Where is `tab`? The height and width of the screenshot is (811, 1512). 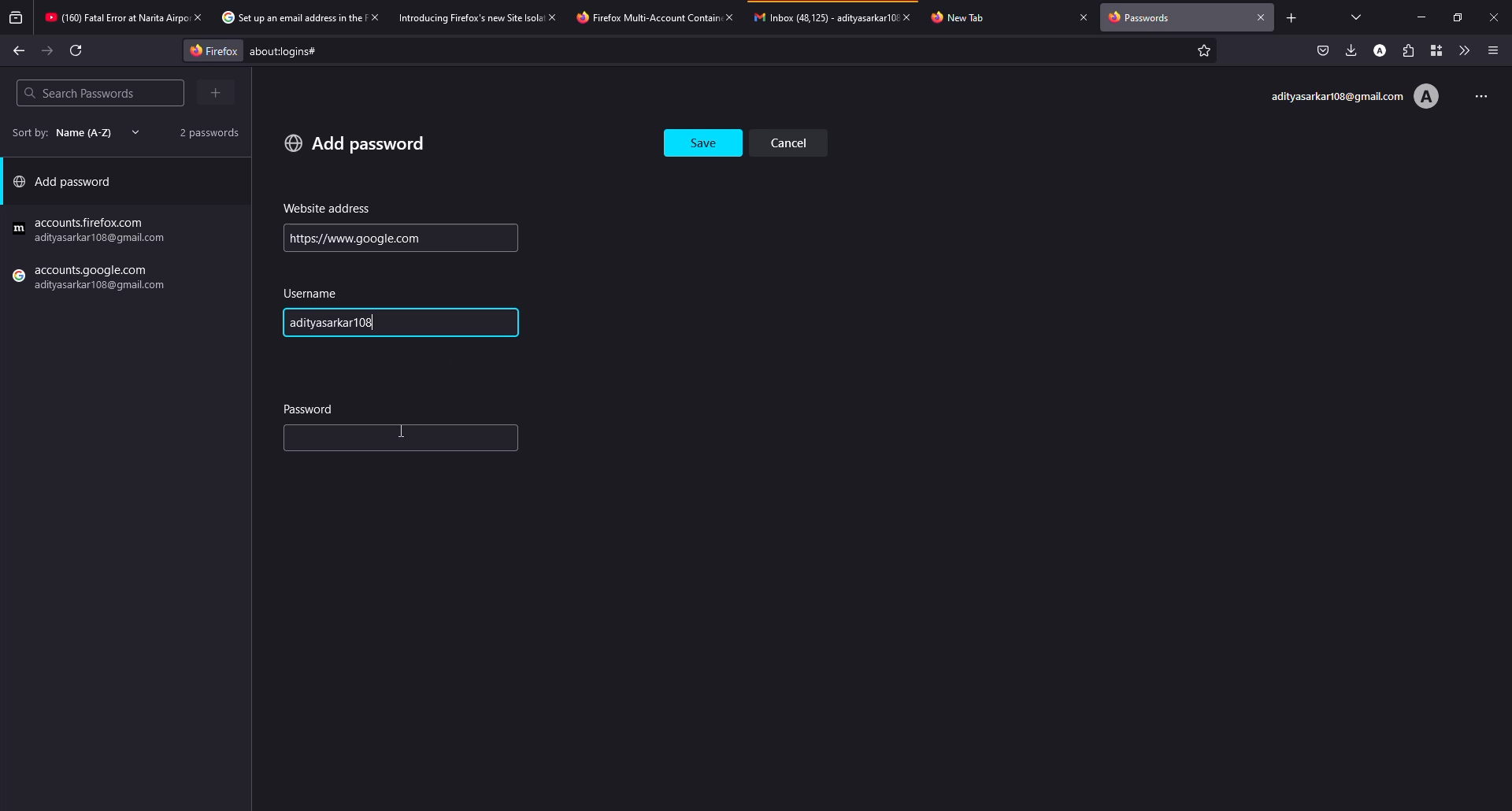 tab is located at coordinates (966, 17).